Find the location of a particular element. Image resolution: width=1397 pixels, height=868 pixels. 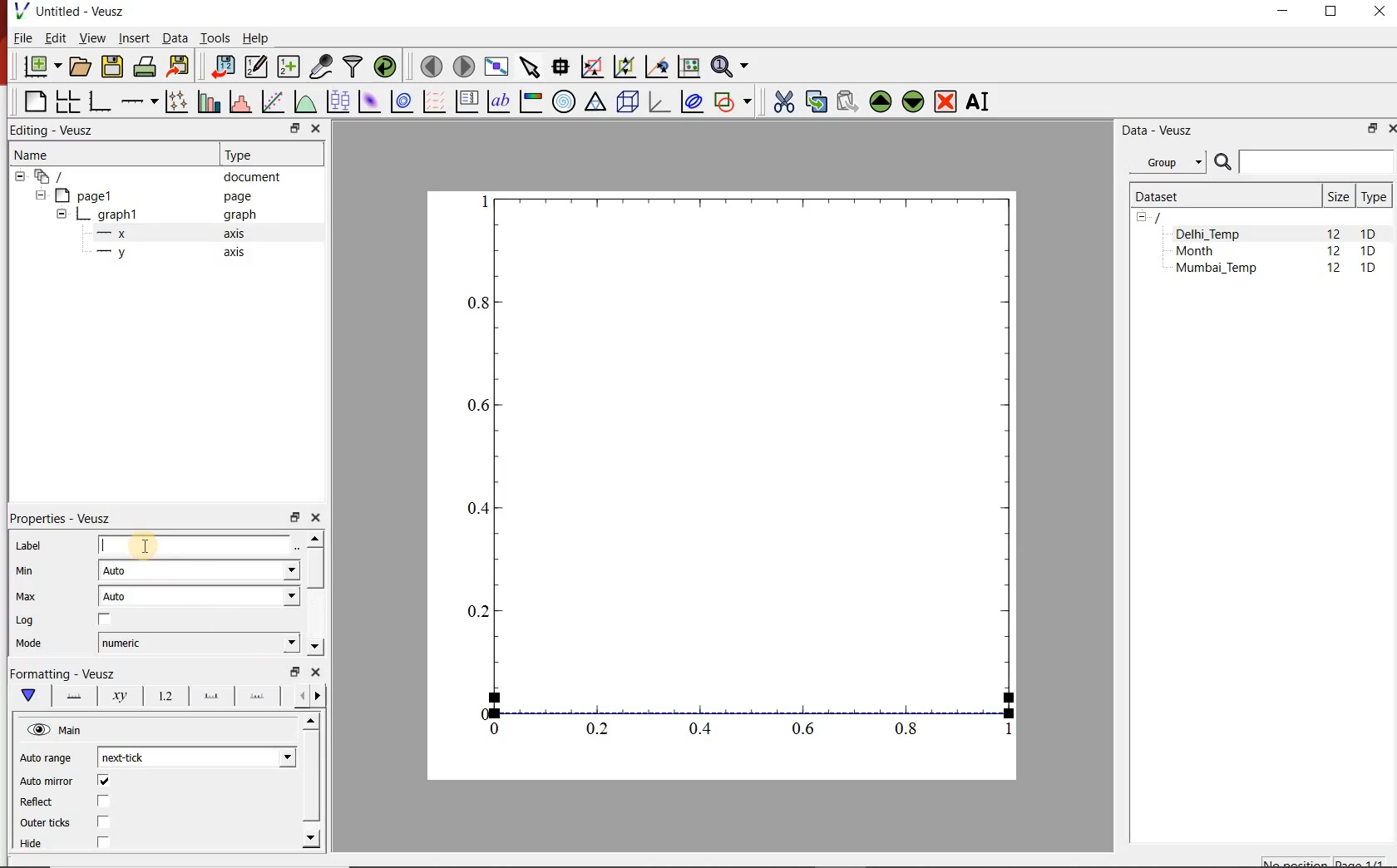

1D is located at coordinates (1369, 234).